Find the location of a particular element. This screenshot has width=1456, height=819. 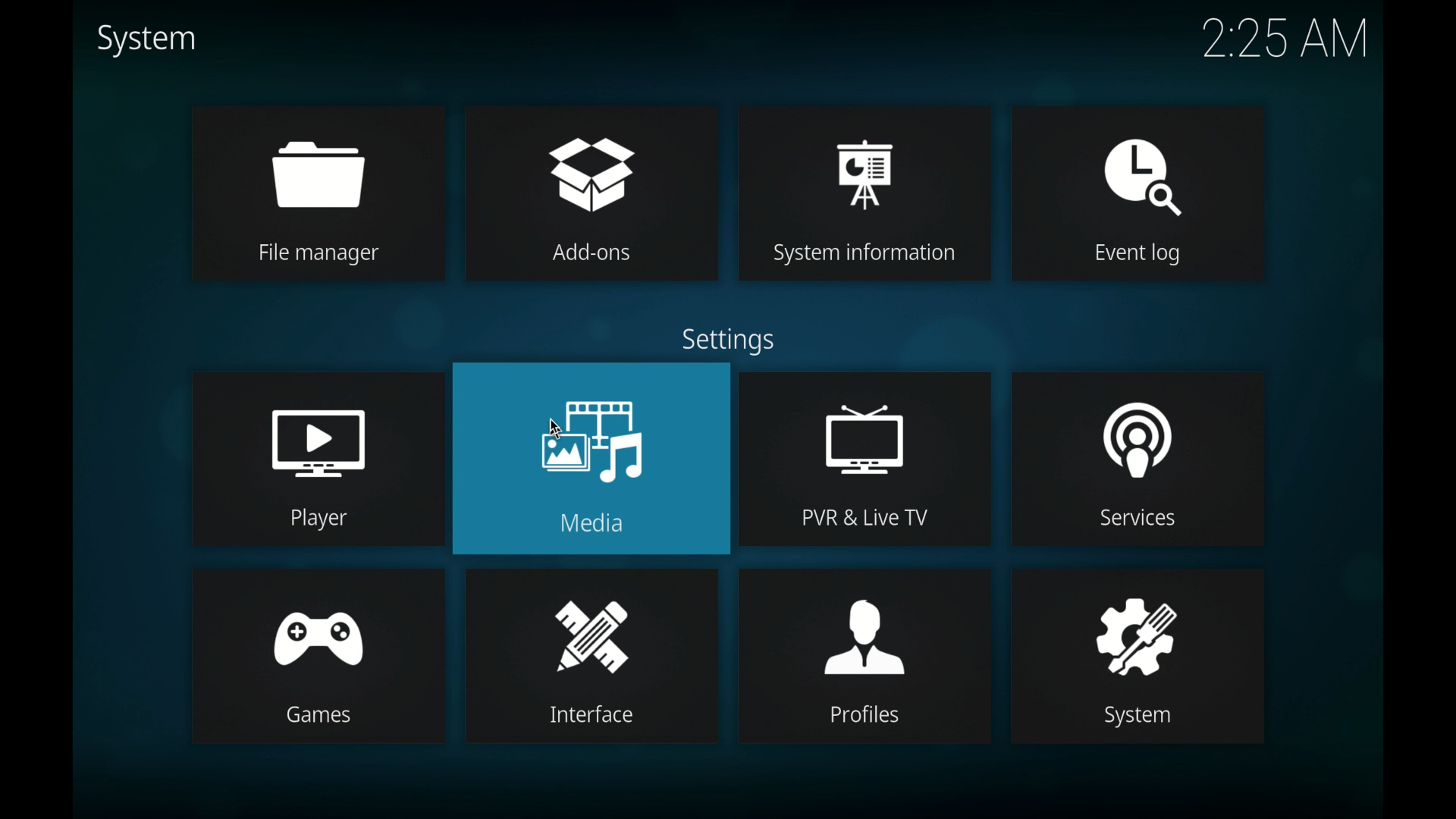

PVR & Live TV is located at coordinates (861, 519).